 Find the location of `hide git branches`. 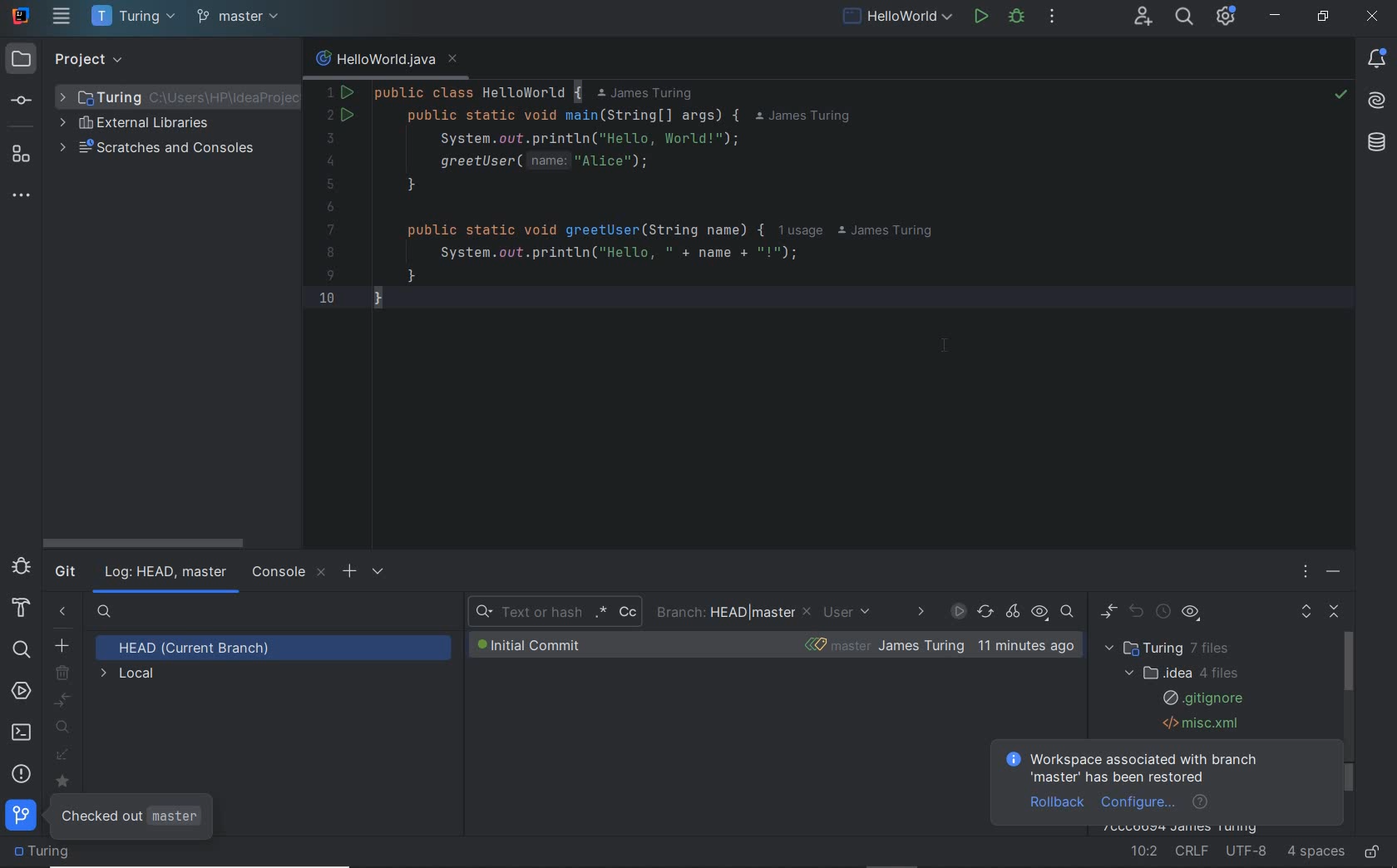

hide git branches is located at coordinates (63, 614).